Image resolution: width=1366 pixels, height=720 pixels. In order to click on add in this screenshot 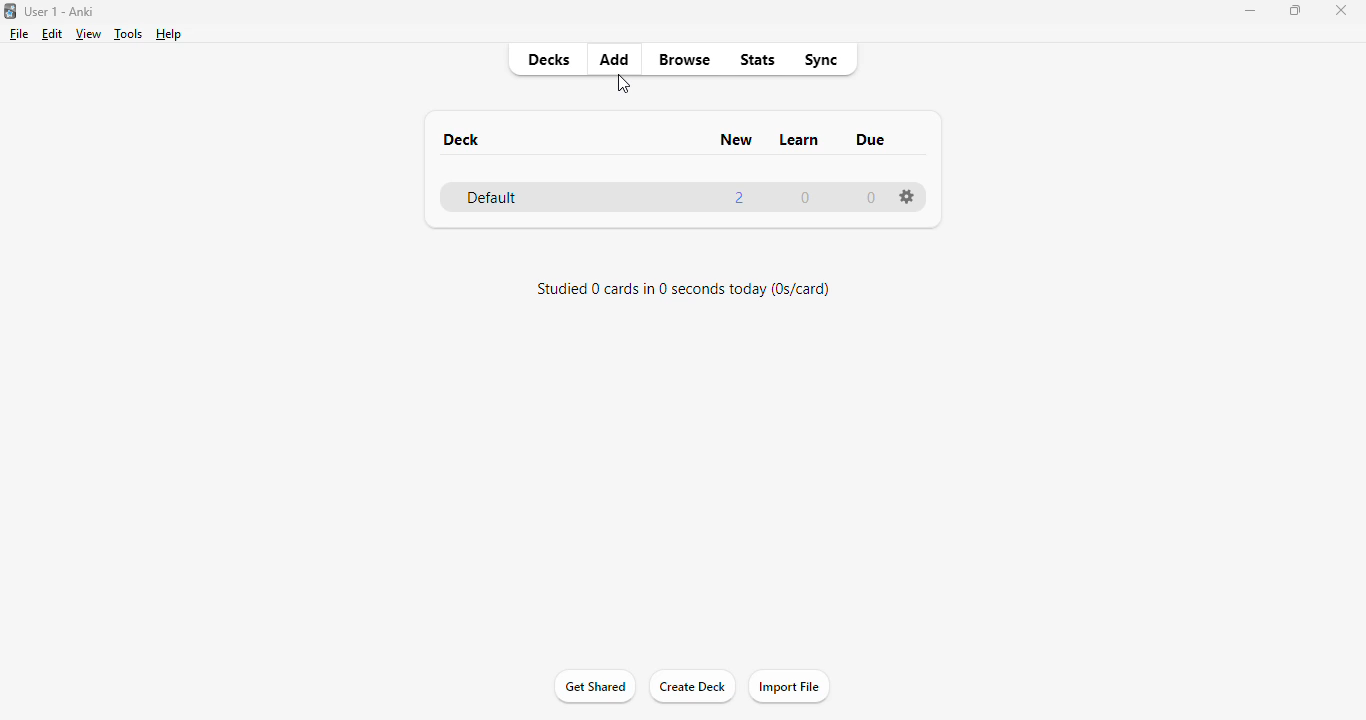, I will do `click(615, 60)`.